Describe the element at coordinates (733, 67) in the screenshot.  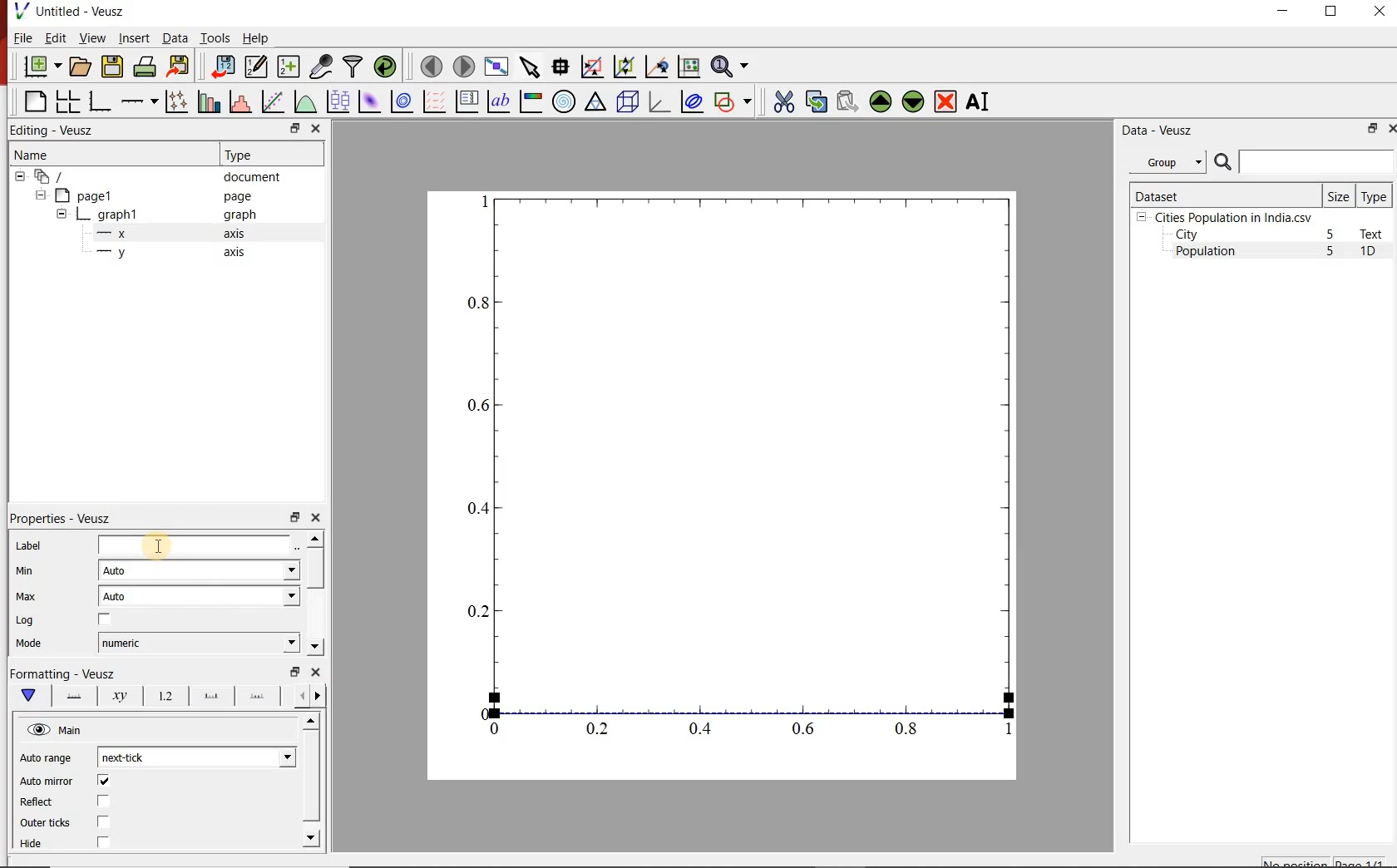
I see `zoom functions menu` at that location.